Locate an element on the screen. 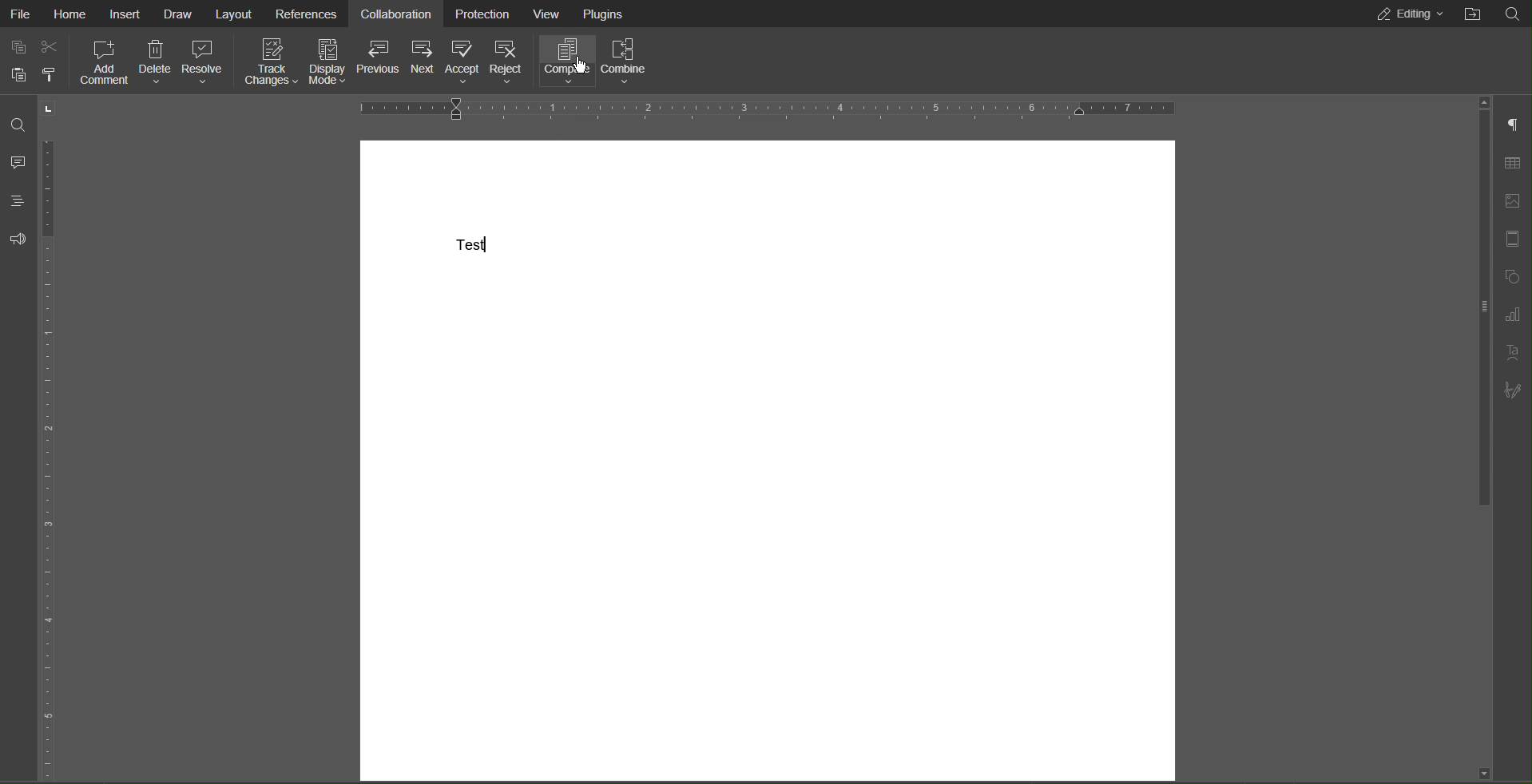 The width and height of the screenshot is (1532, 784). Combine is located at coordinates (625, 62).